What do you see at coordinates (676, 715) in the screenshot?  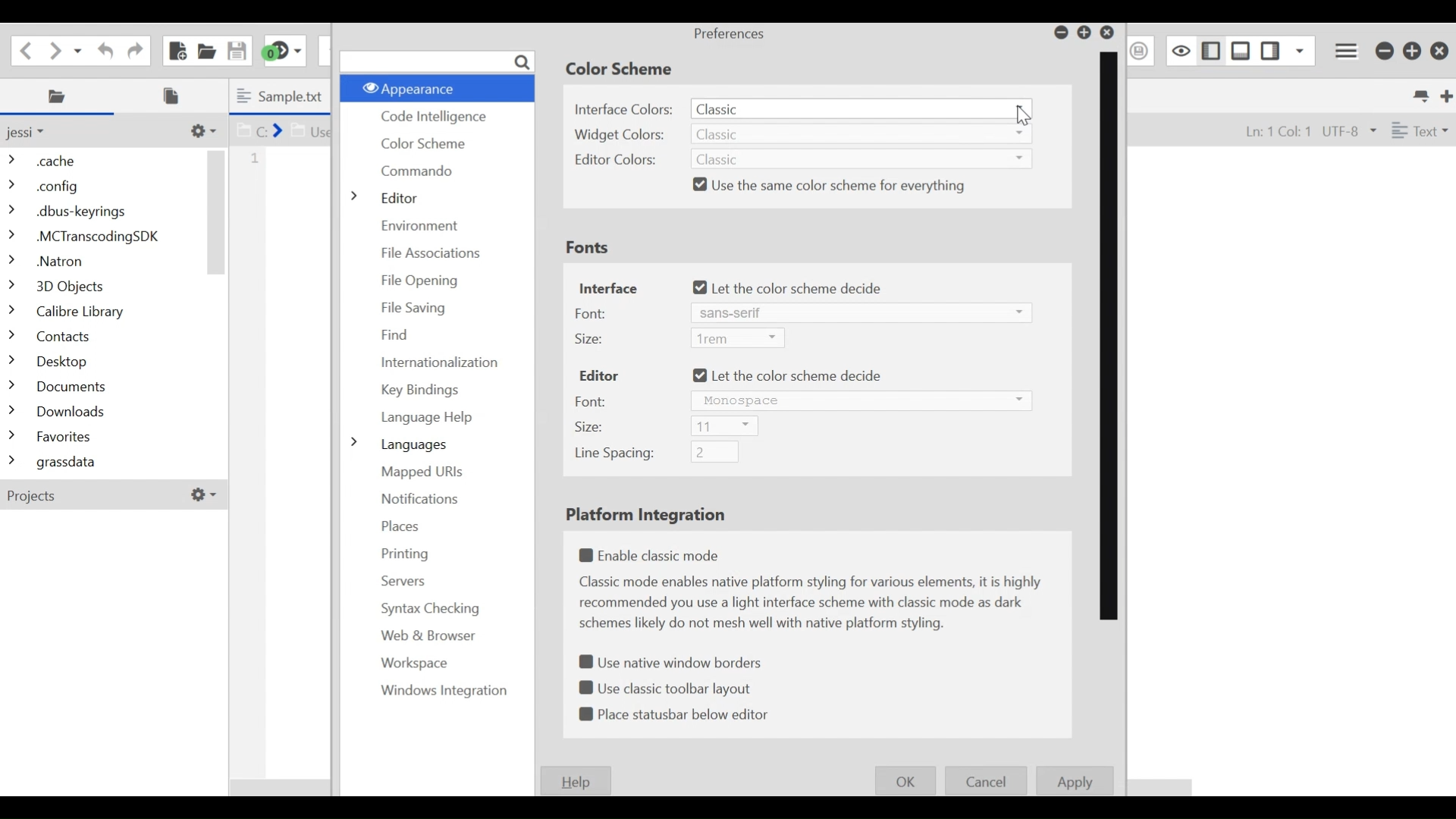 I see `(un)select Place status bar below editor` at bounding box center [676, 715].